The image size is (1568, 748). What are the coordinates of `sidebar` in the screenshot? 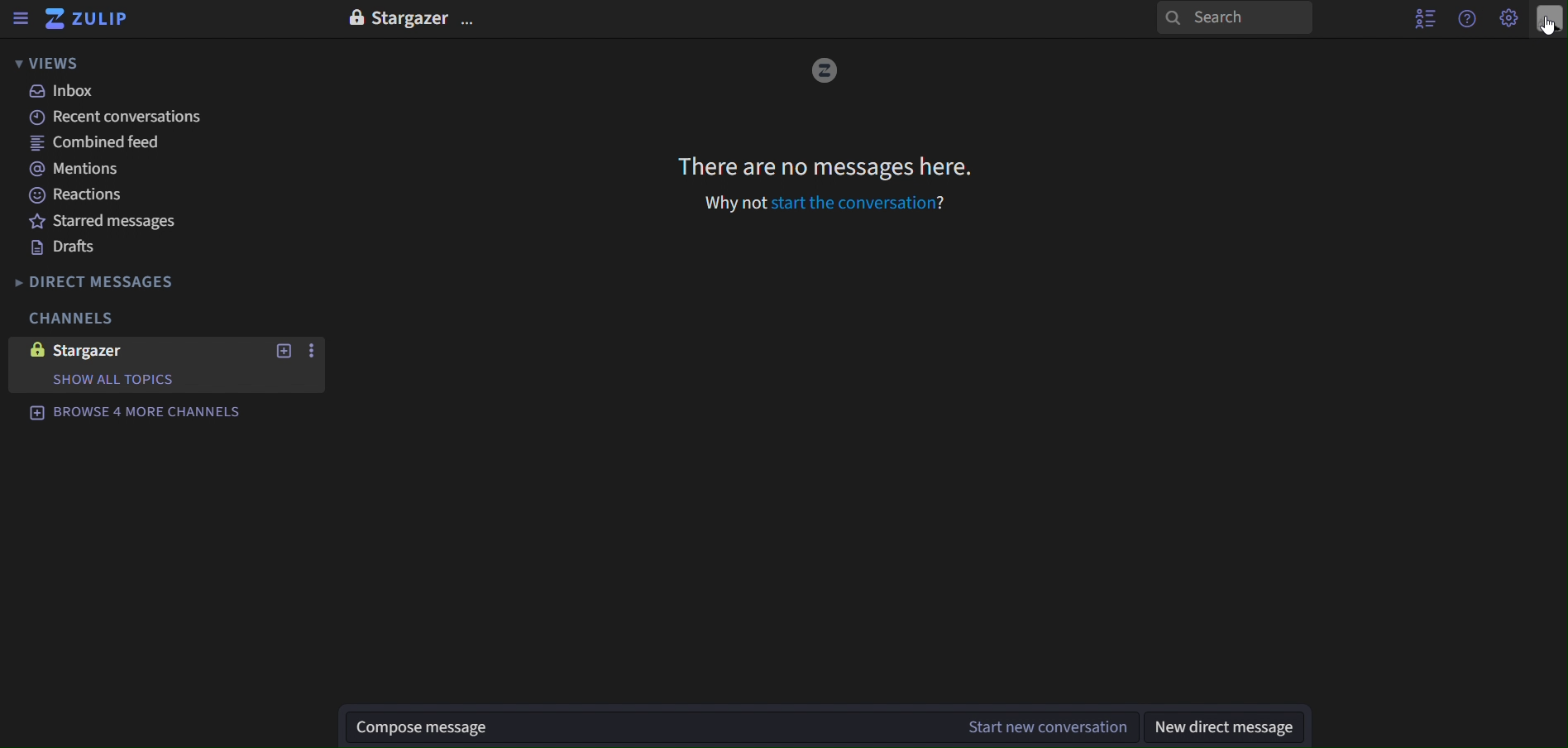 It's located at (22, 19).